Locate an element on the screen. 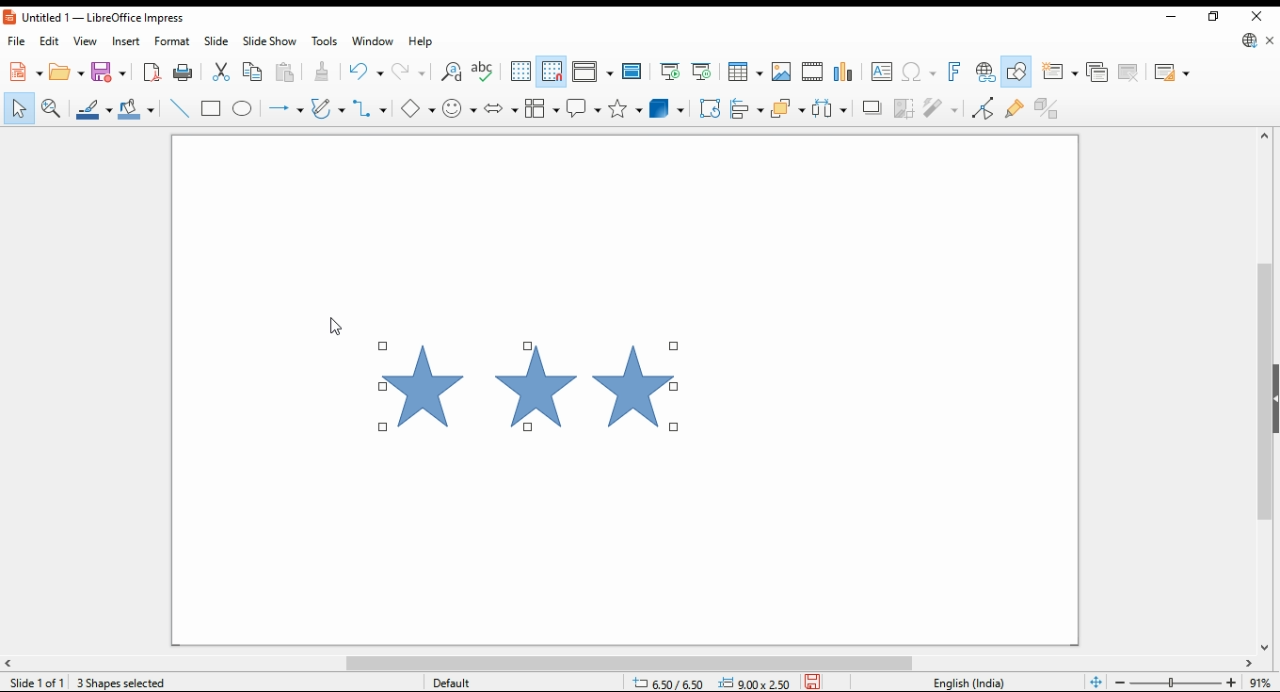 The width and height of the screenshot is (1280, 692). display view is located at coordinates (594, 72).